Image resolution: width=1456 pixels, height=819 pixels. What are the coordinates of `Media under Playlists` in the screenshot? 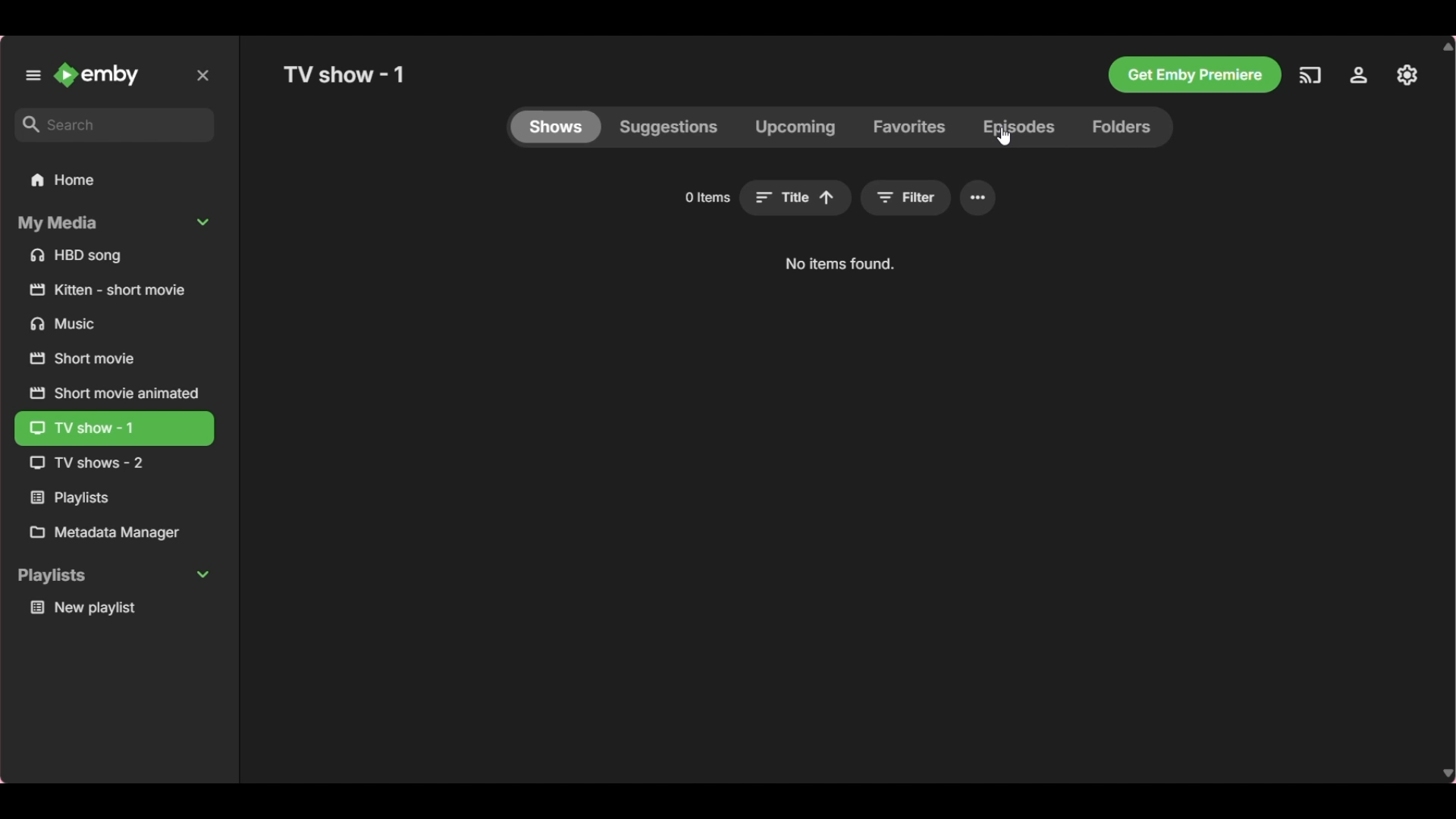 It's located at (115, 607).